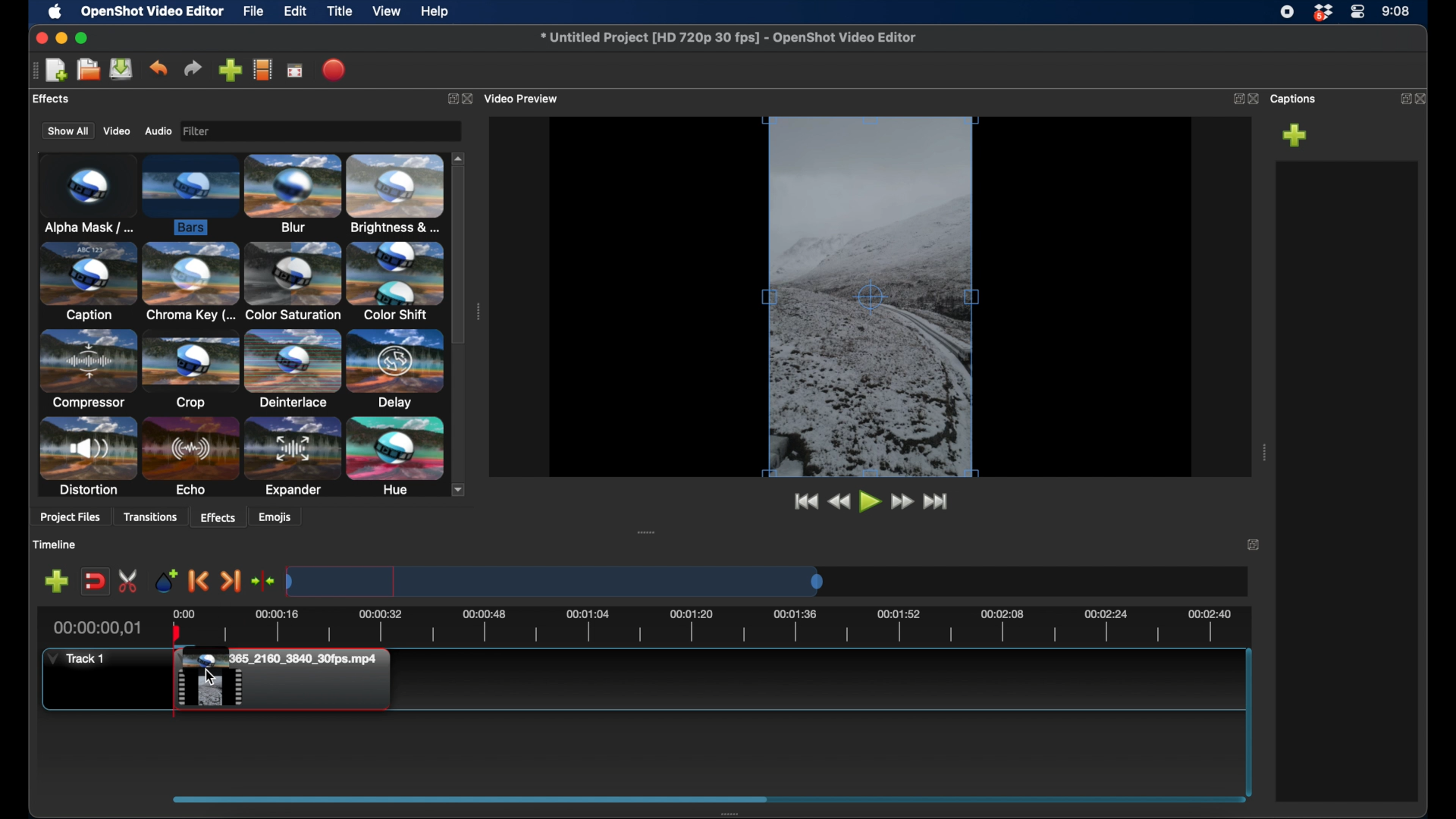  I want to click on export video, so click(332, 70).